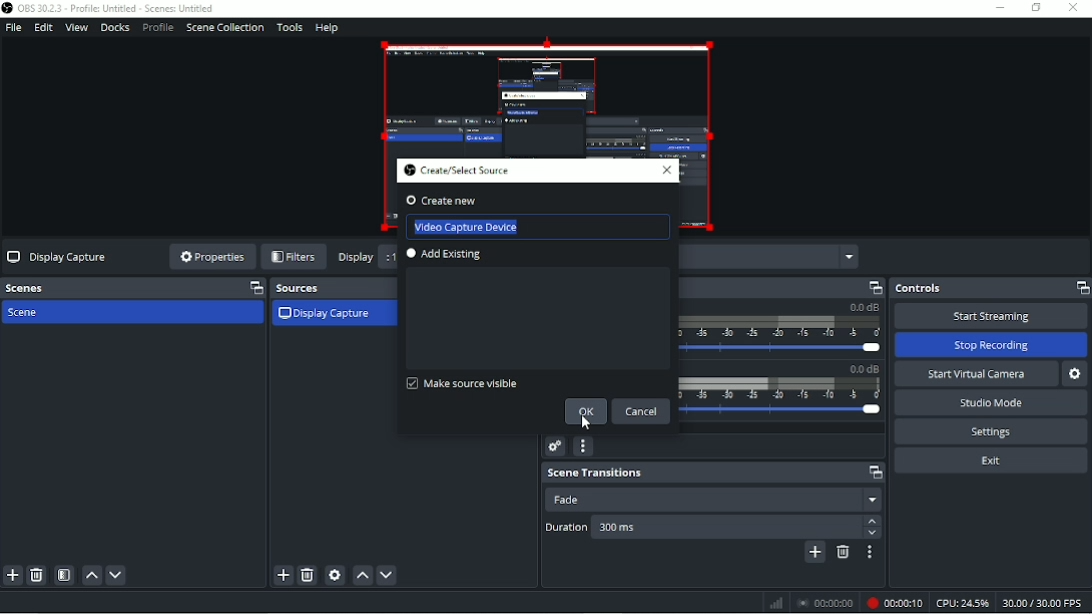 The image size is (1092, 614). Describe the element at coordinates (988, 431) in the screenshot. I see `Settings` at that location.